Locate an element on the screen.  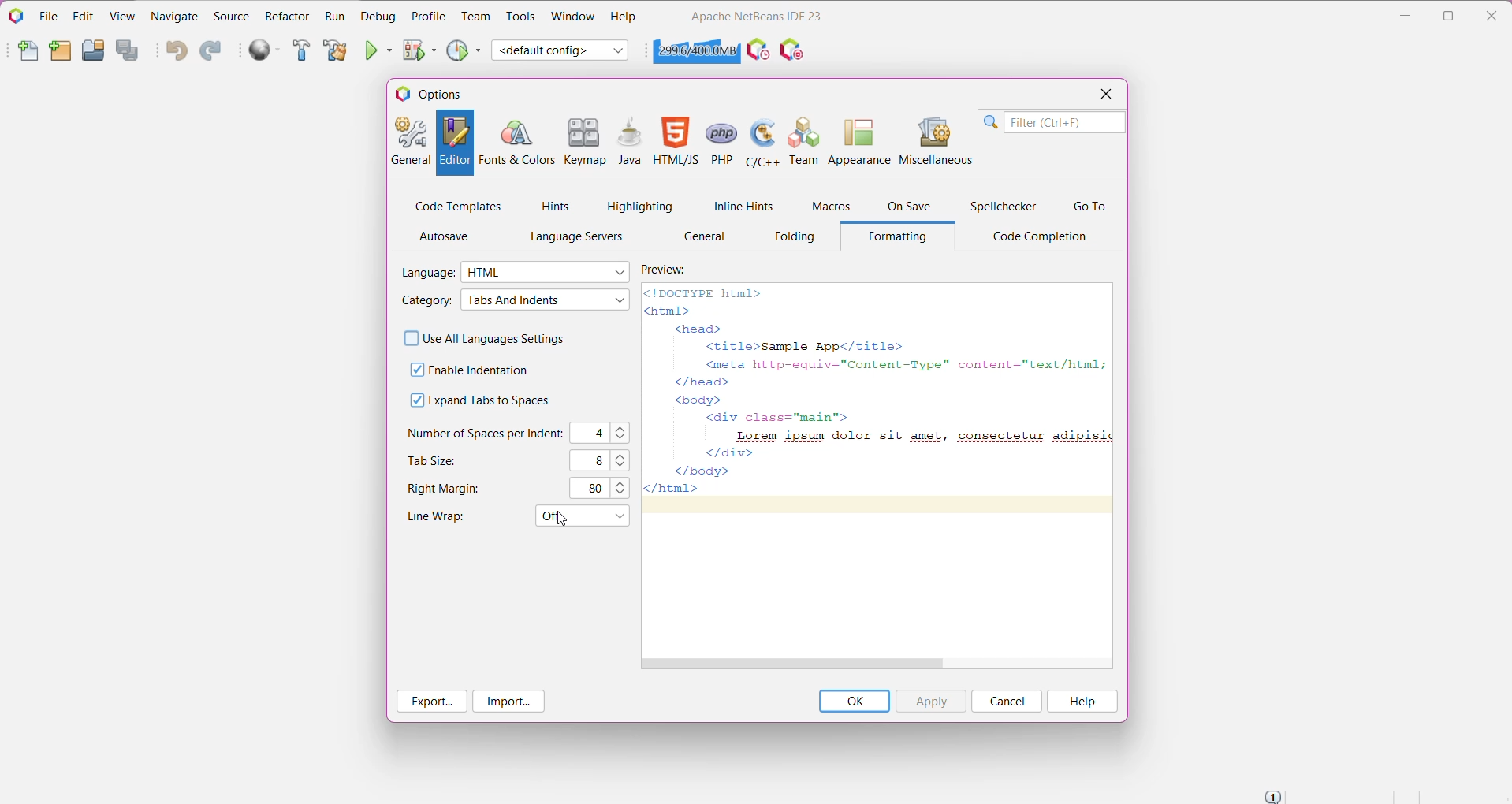
Build Project is located at coordinates (302, 51).